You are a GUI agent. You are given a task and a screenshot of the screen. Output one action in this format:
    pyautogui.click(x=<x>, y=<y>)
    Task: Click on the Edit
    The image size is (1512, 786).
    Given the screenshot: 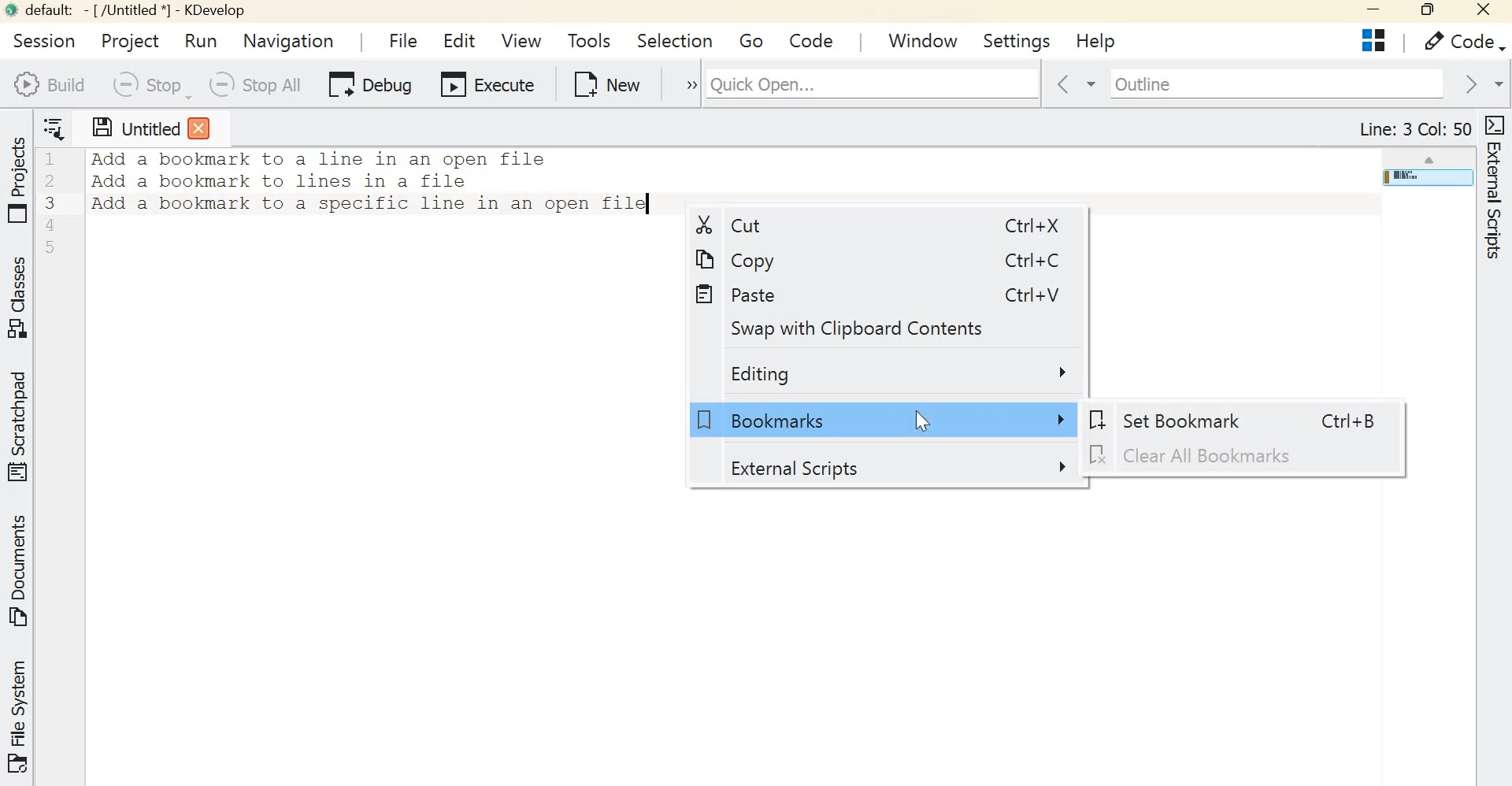 What is the action you would take?
    pyautogui.click(x=461, y=37)
    